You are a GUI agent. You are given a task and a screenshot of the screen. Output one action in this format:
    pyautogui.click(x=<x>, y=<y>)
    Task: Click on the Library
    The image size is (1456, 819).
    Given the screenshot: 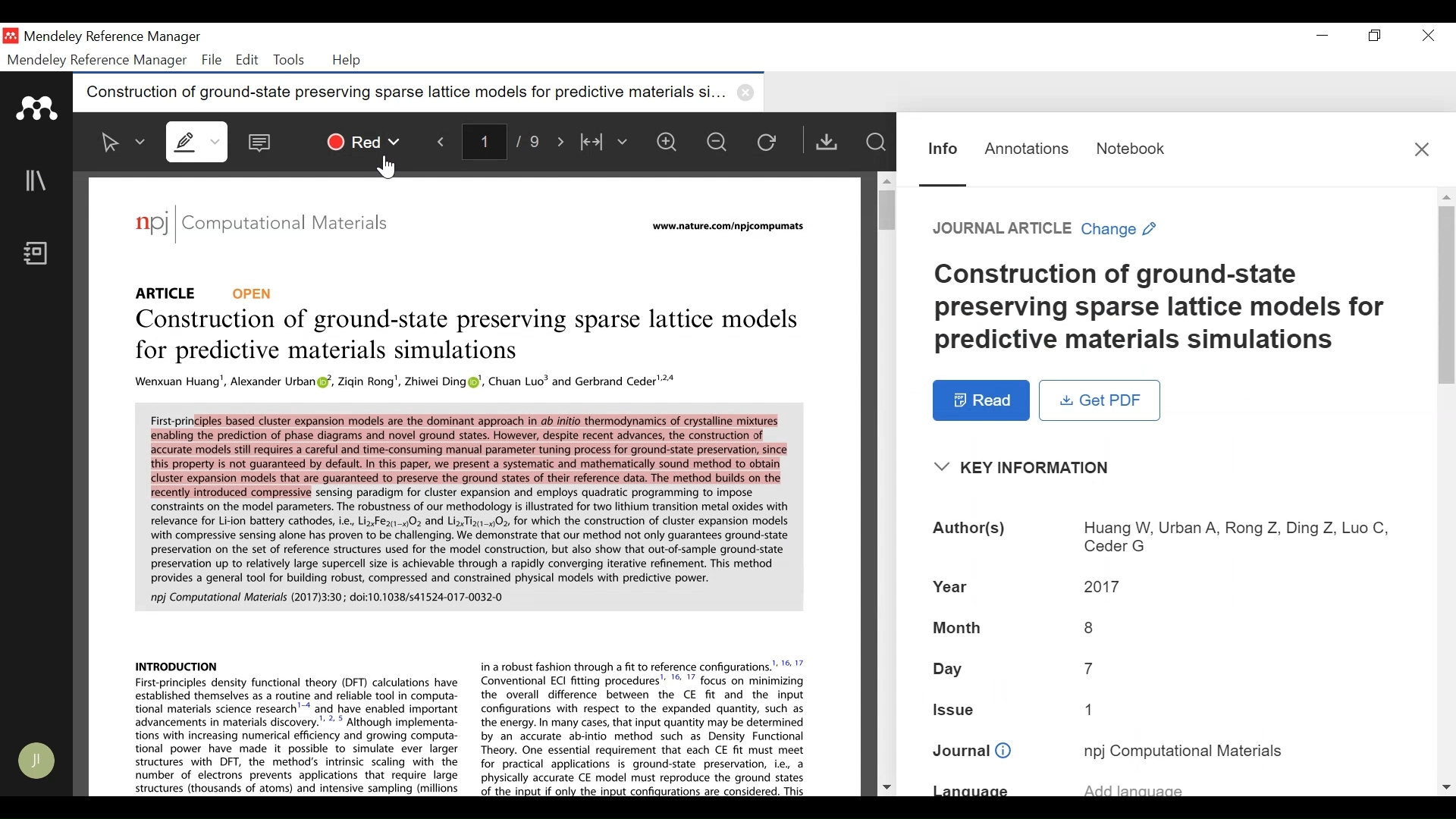 What is the action you would take?
    pyautogui.click(x=37, y=180)
    